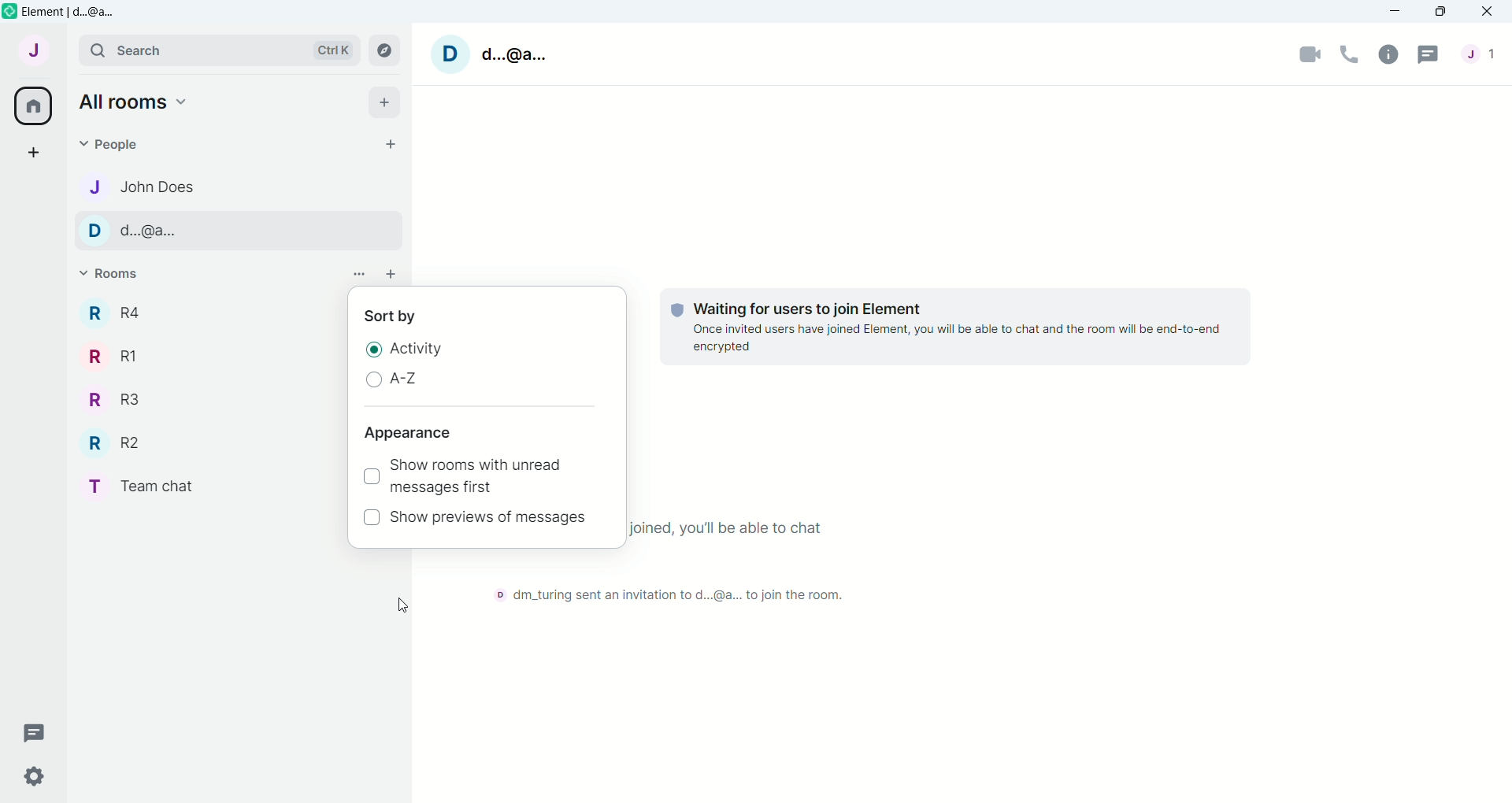  What do you see at coordinates (40, 151) in the screenshot?
I see `Create a space` at bounding box center [40, 151].